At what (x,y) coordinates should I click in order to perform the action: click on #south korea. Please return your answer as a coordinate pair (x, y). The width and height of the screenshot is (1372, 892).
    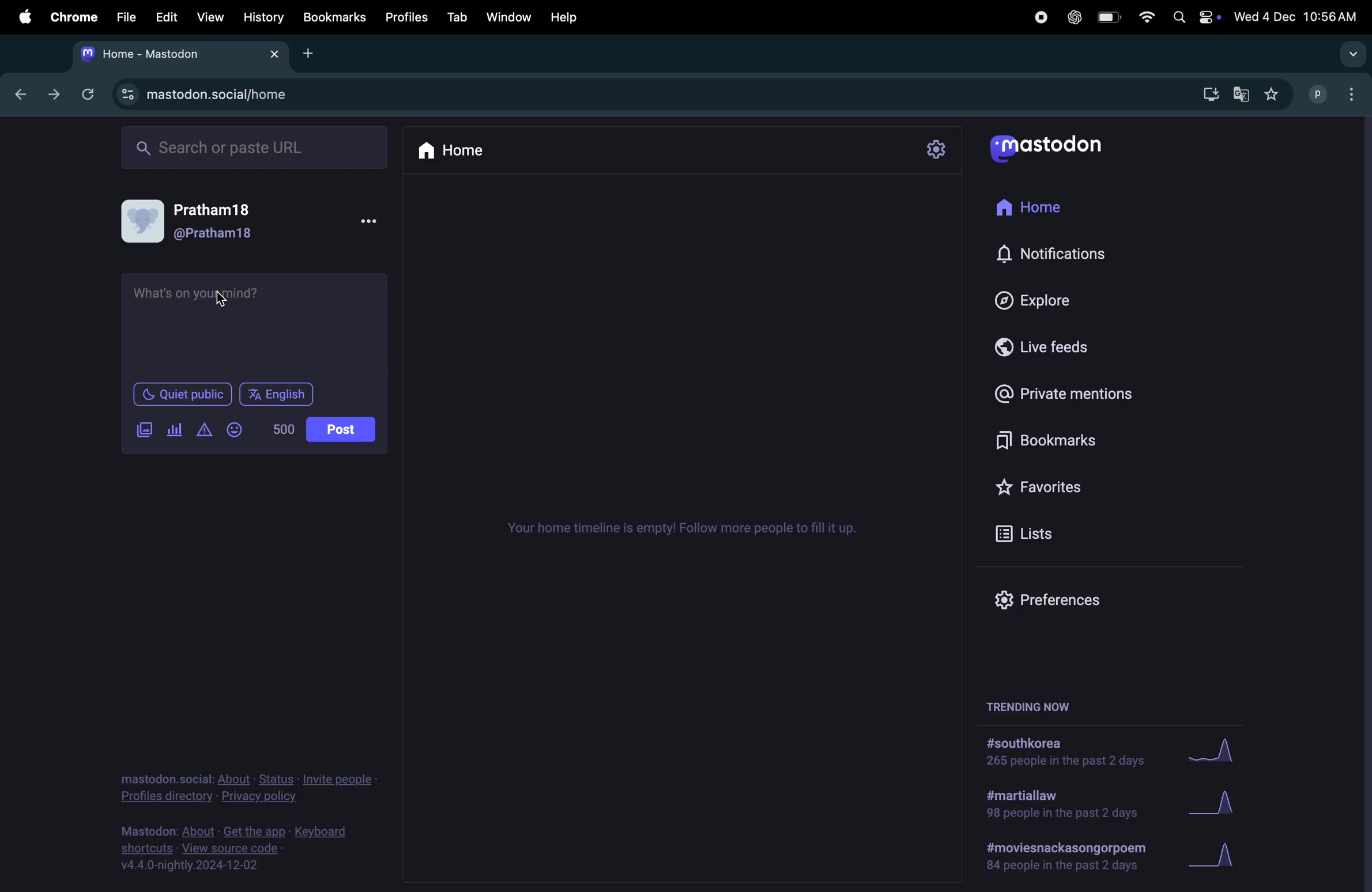
    Looking at the image, I should click on (1064, 752).